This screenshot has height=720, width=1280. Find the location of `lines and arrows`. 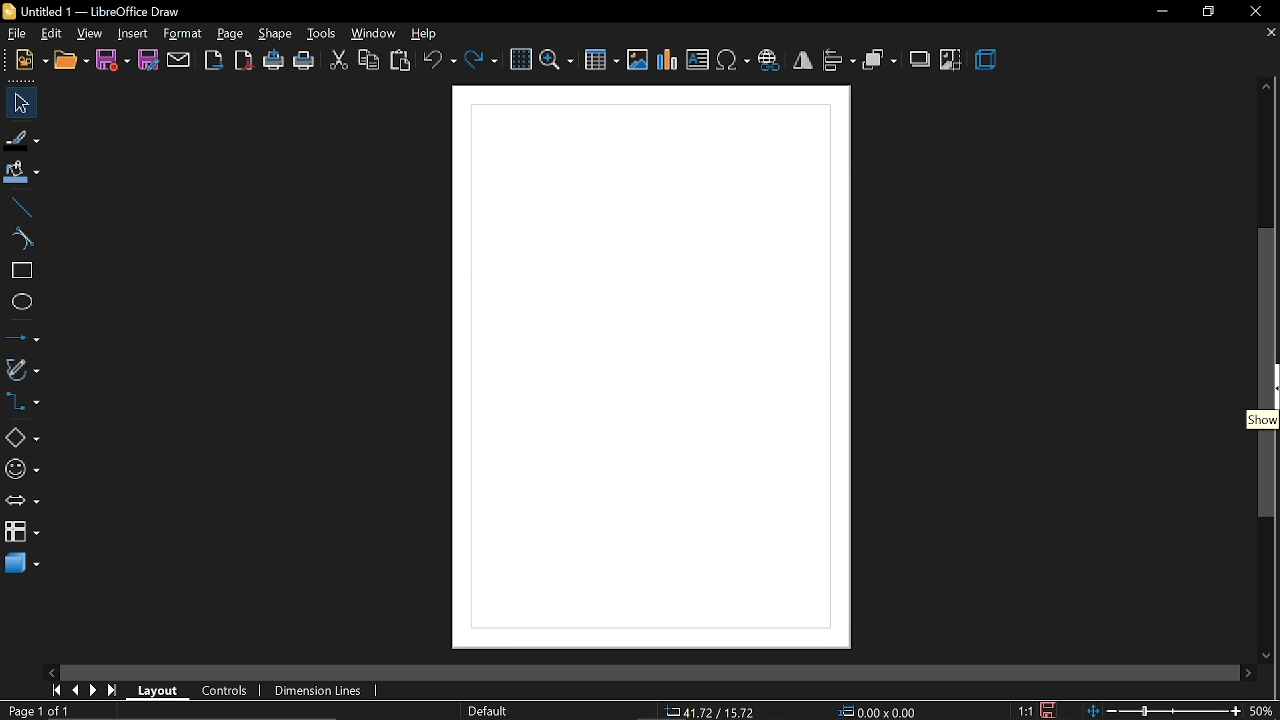

lines and arrows is located at coordinates (22, 340).